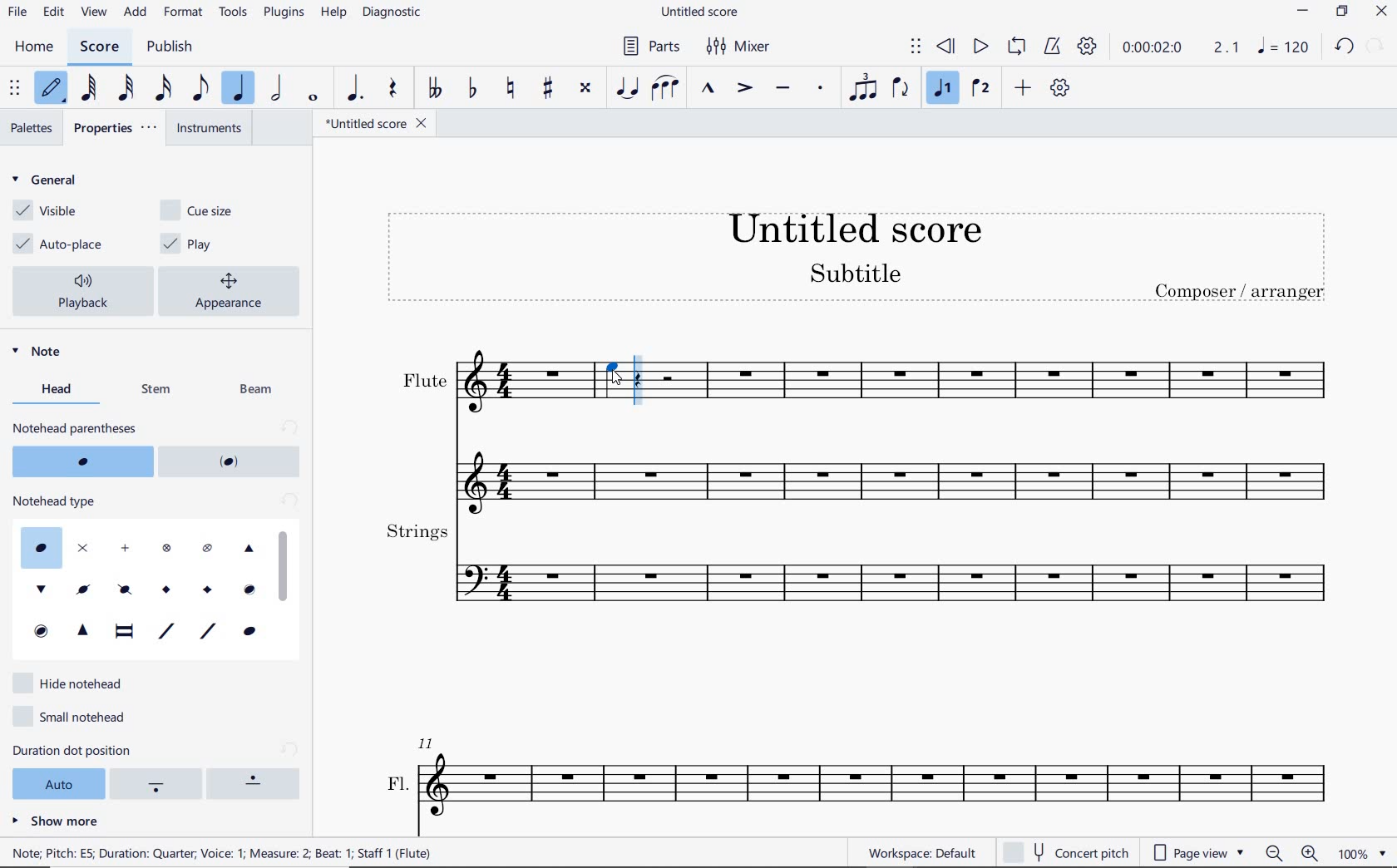 The width and height of the screenshot is (1397, 868). Describe the element at coordinates (1360, 852) in the screenshot. I see `zoom factor` at that location.